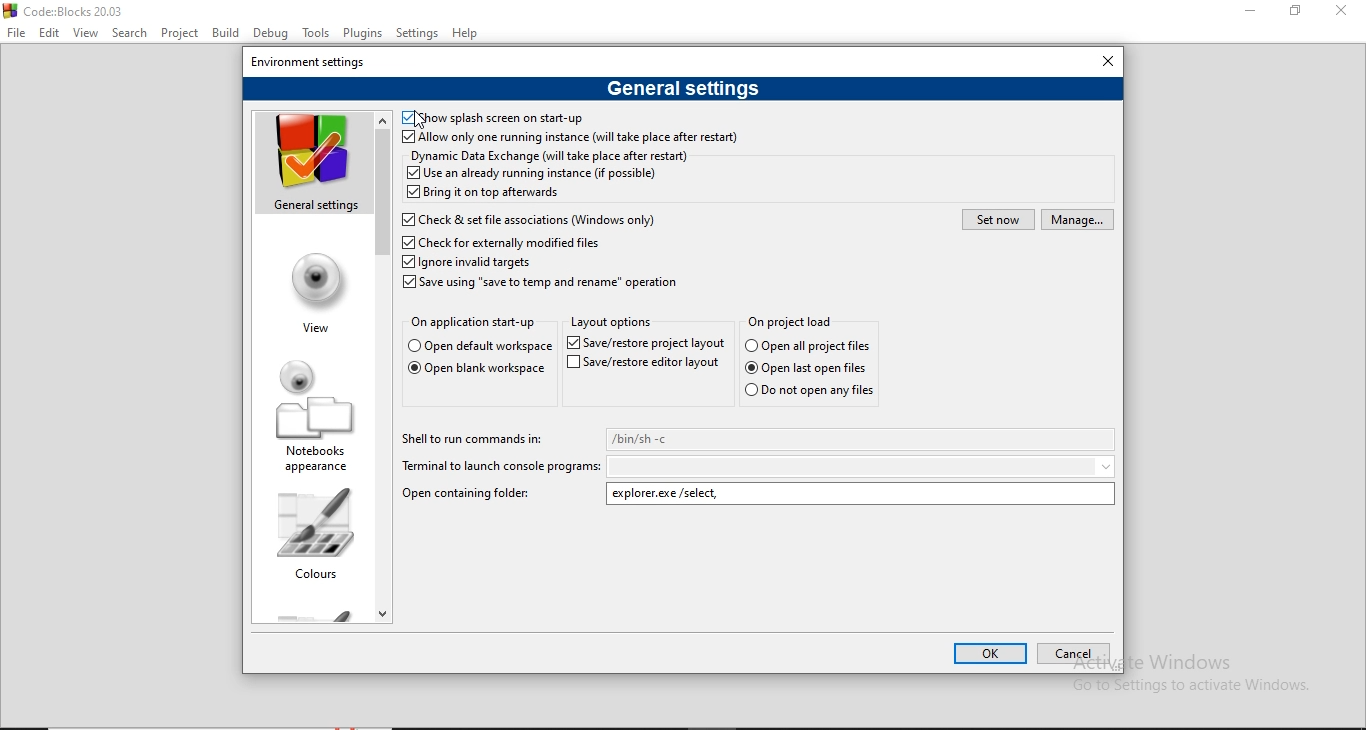 The height and width of the screenshot is (730, 1366). I want to click on Build , so click(227, 31).